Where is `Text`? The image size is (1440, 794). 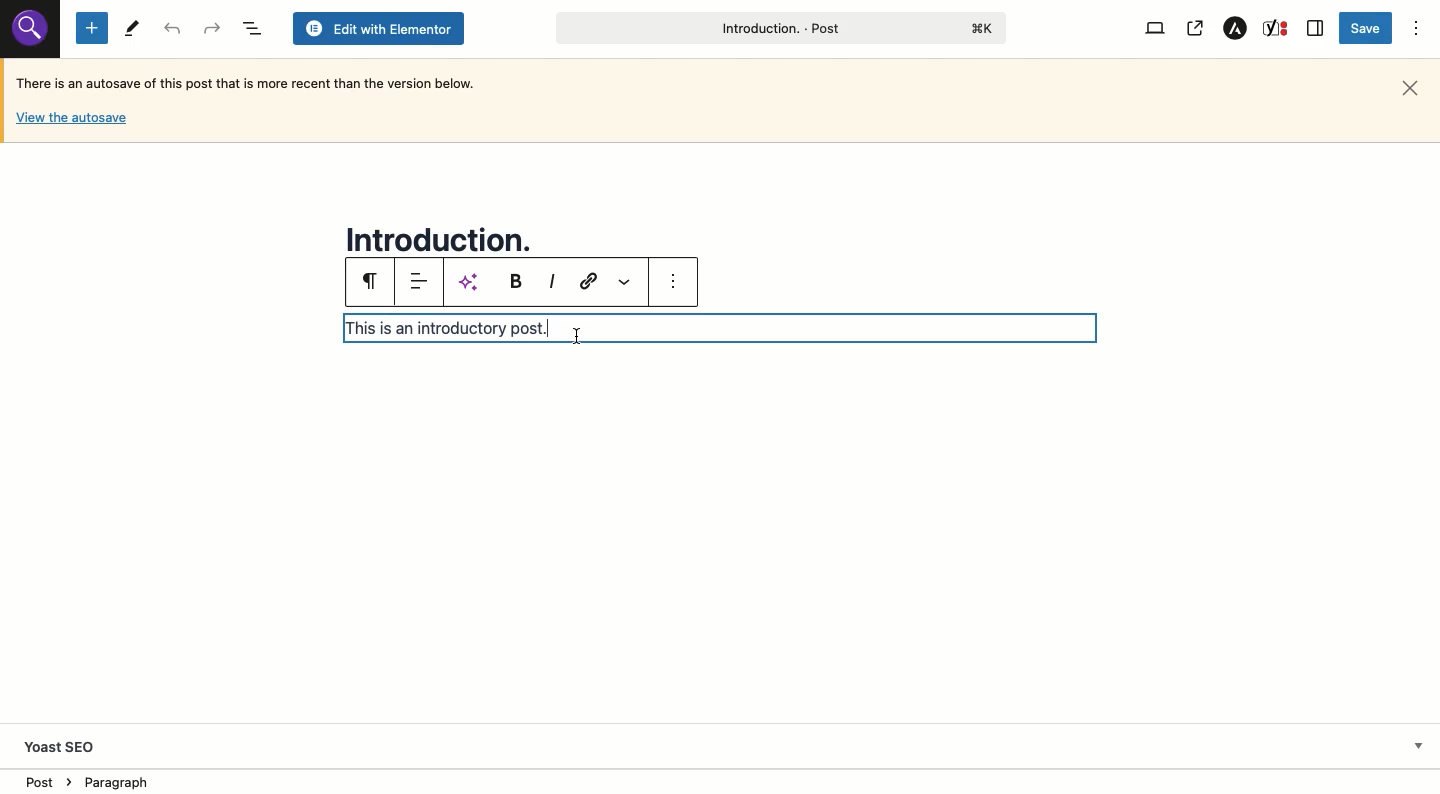 Text is located at coordinates (715, 328).